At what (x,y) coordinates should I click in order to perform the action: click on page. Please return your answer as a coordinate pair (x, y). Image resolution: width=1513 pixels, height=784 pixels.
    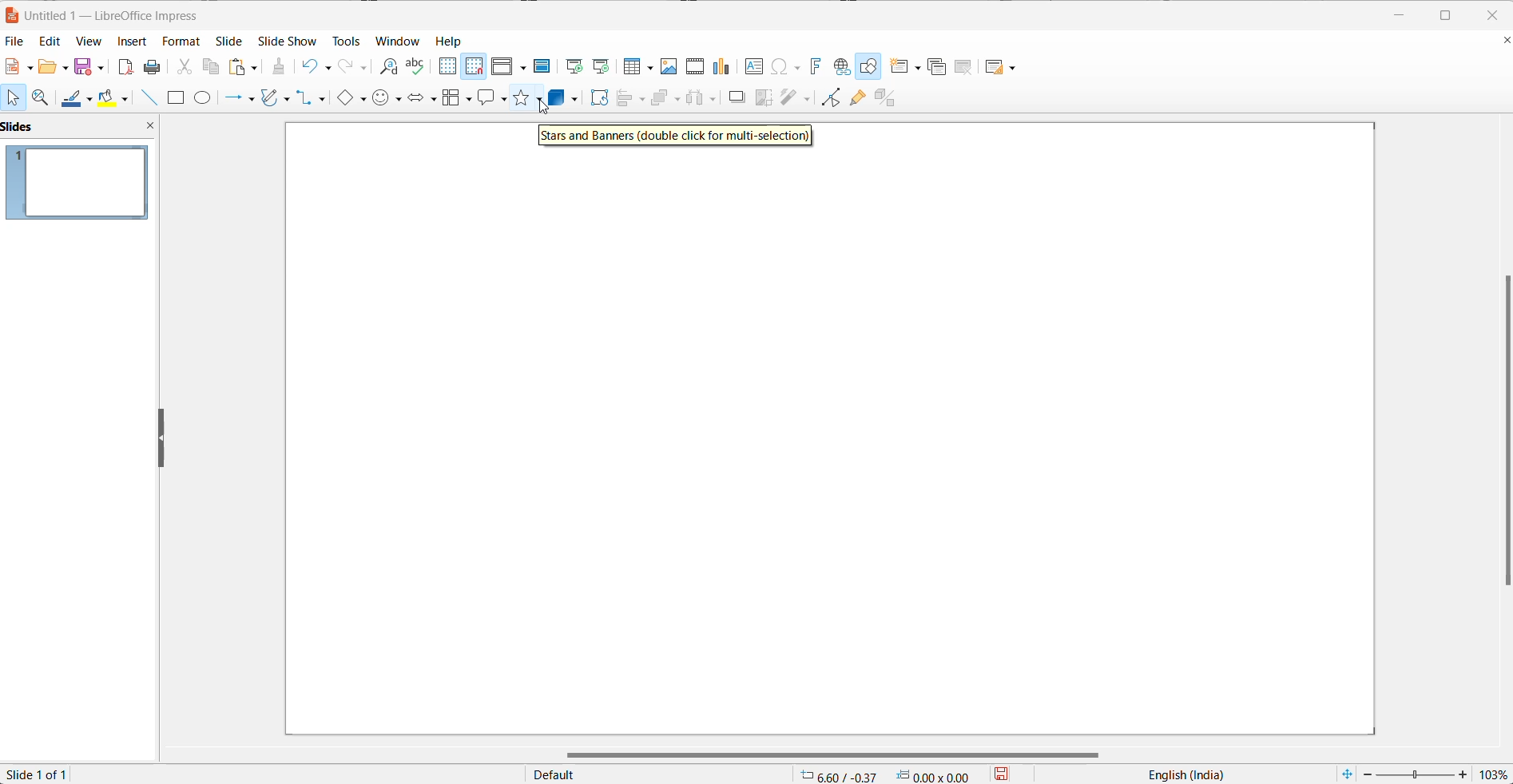
    Looking at the image, I should click on (826, 441).